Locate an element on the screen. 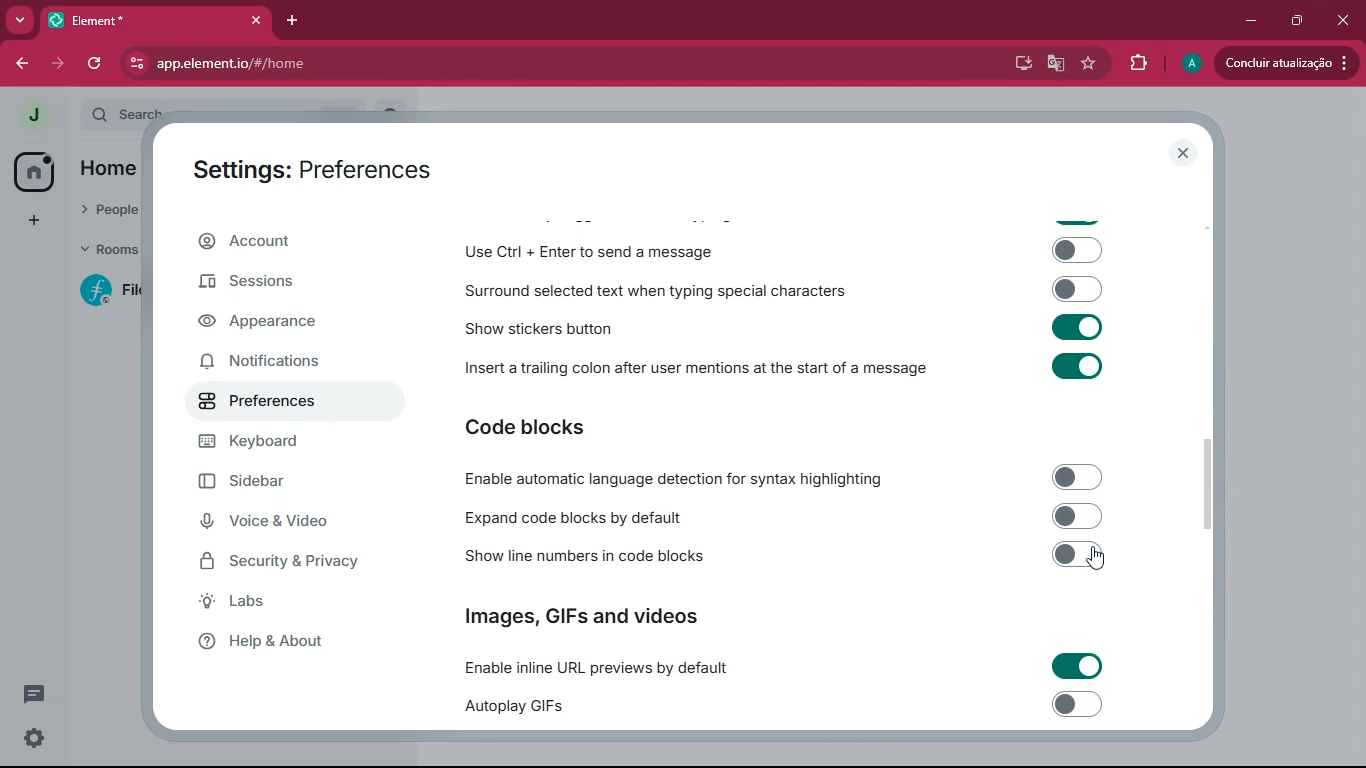 This screenshot has width=1366, height=768. conduir atualizacao is located at coordinates (1287, 62).